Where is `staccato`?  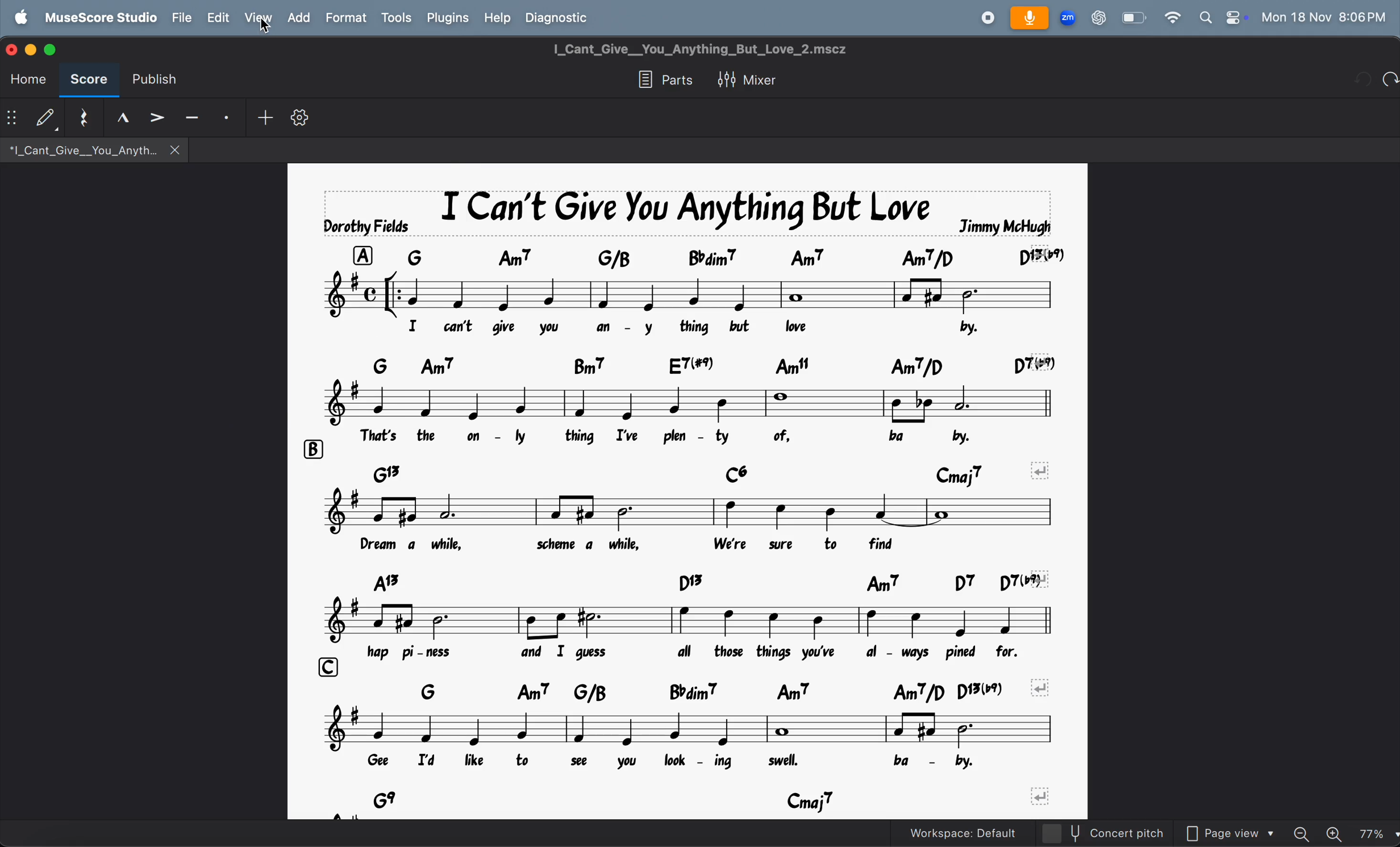
staccato is located at coordinates (224, 118).